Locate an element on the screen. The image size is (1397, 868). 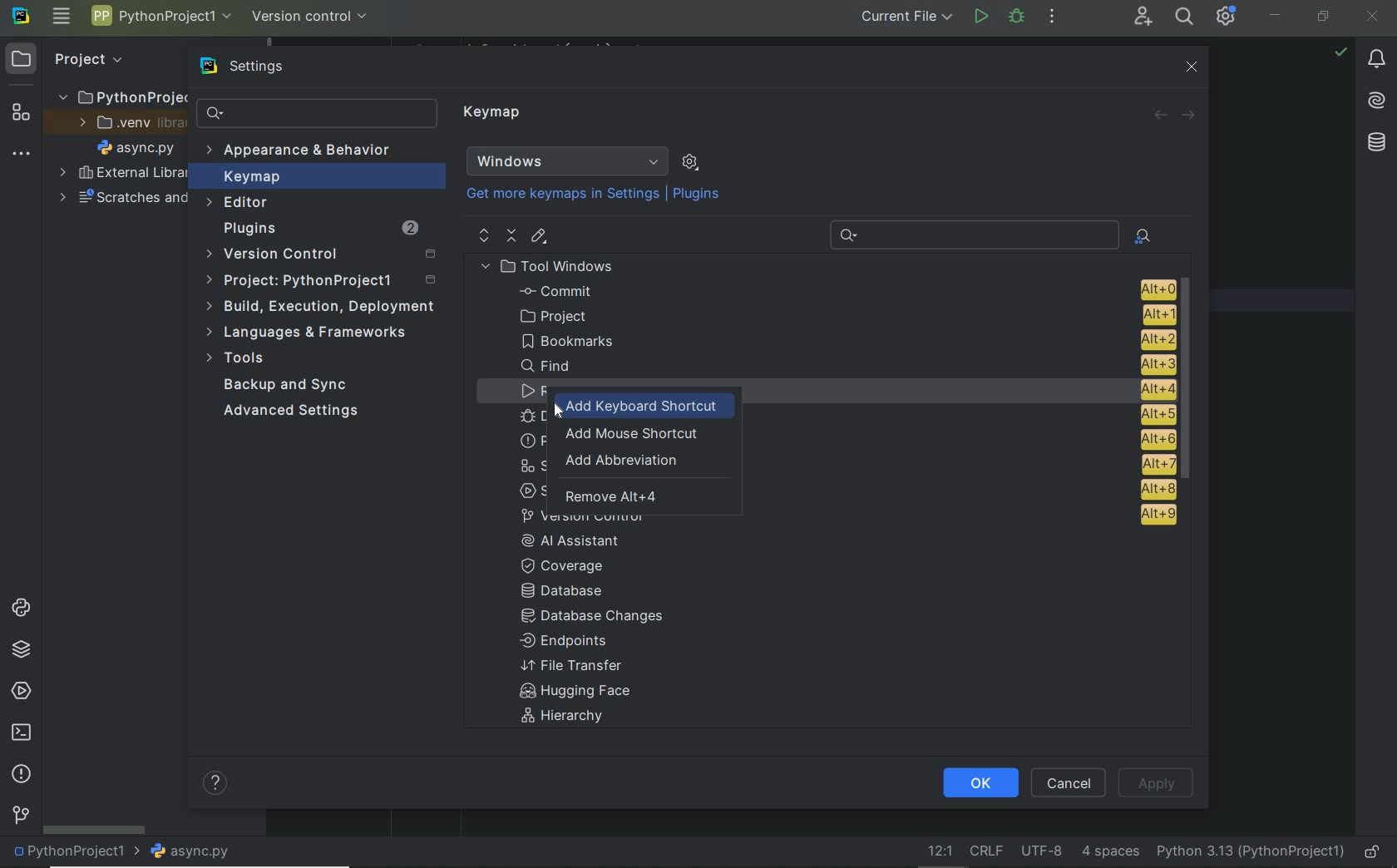
Database is located at coordinates (567, 592).